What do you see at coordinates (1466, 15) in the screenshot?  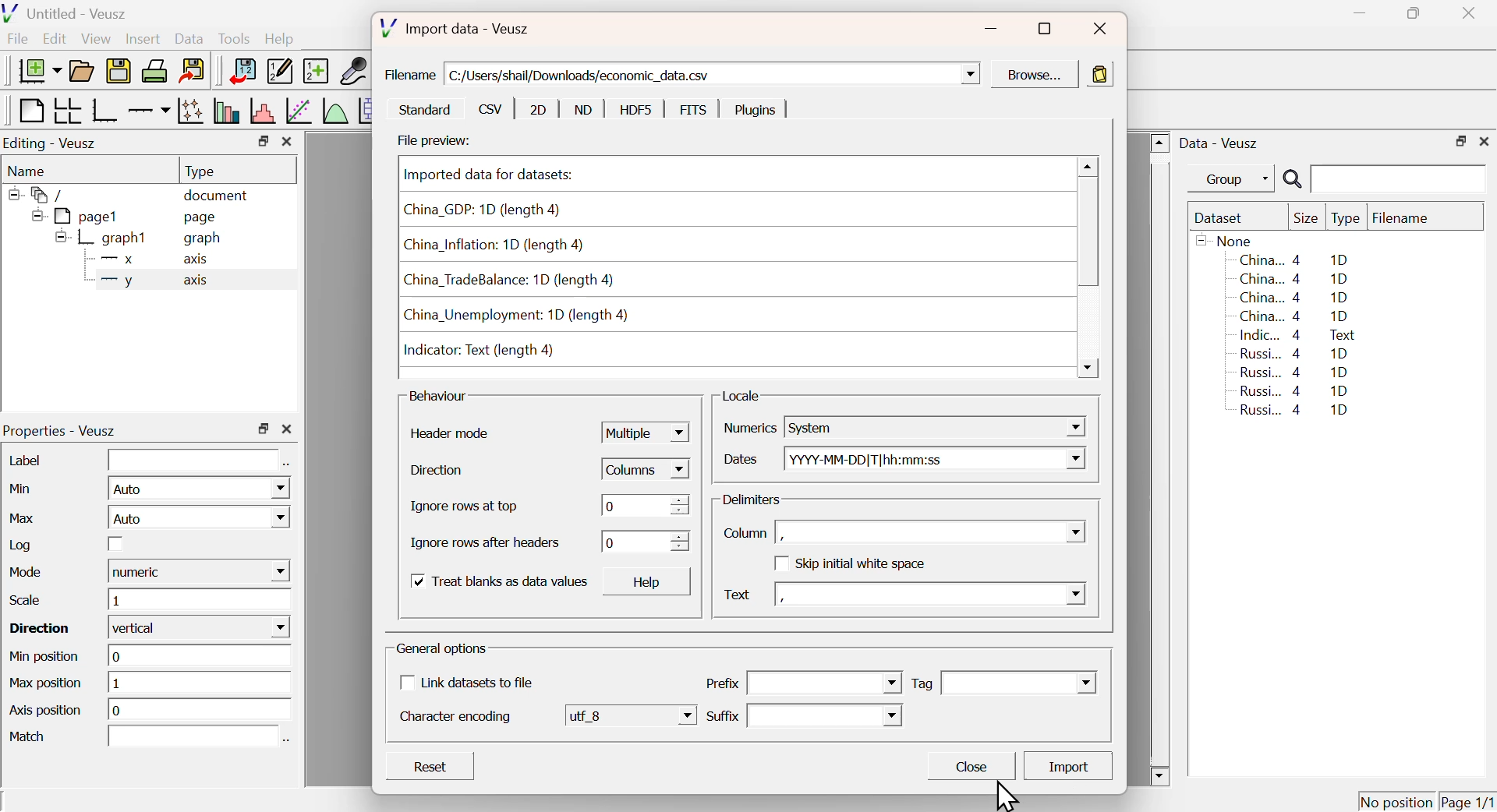 I see `Close` at bounding box center [1466, 15].